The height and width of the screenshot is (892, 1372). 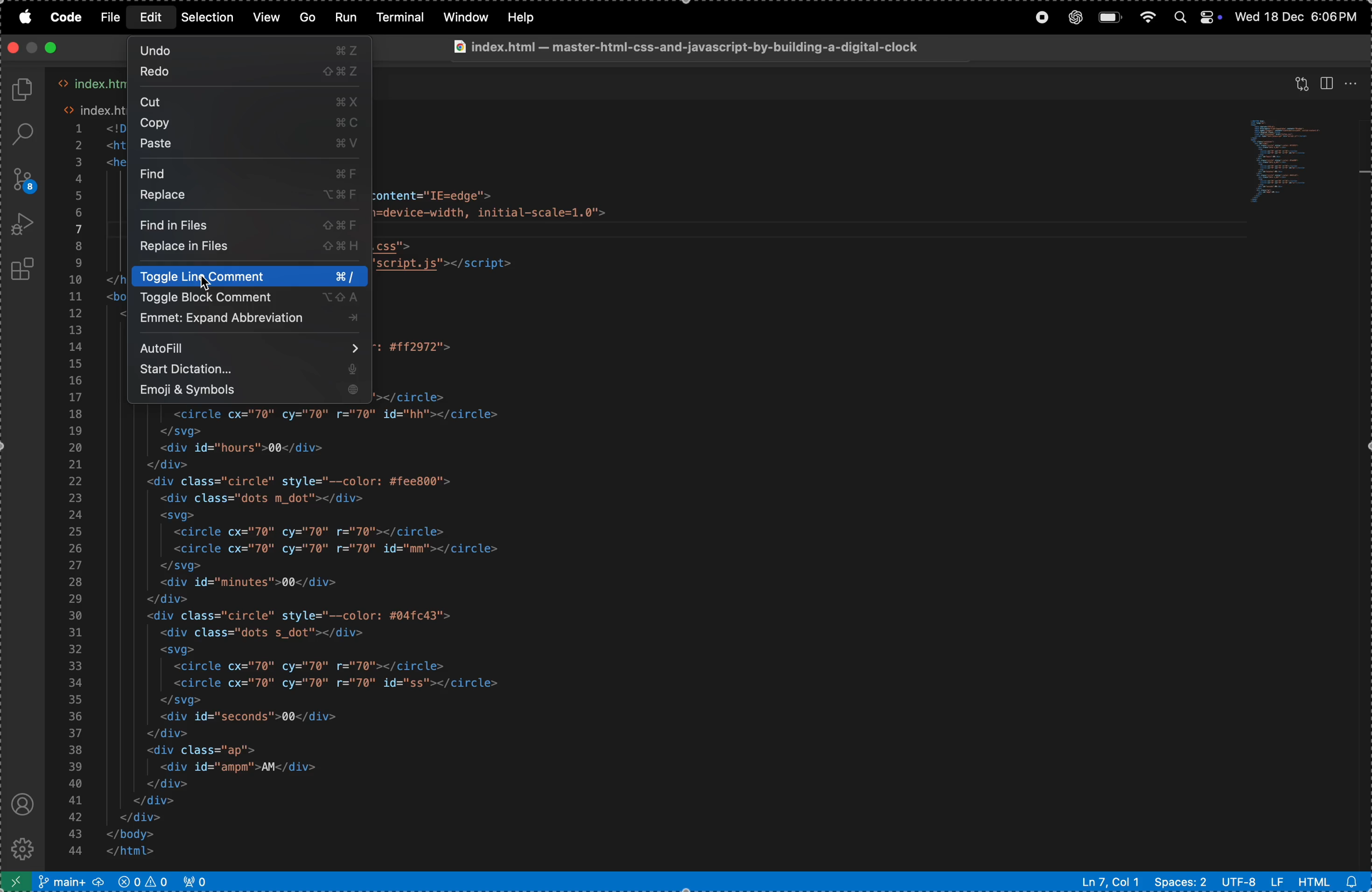 I want to click on view, so click(x=1302, y=80).